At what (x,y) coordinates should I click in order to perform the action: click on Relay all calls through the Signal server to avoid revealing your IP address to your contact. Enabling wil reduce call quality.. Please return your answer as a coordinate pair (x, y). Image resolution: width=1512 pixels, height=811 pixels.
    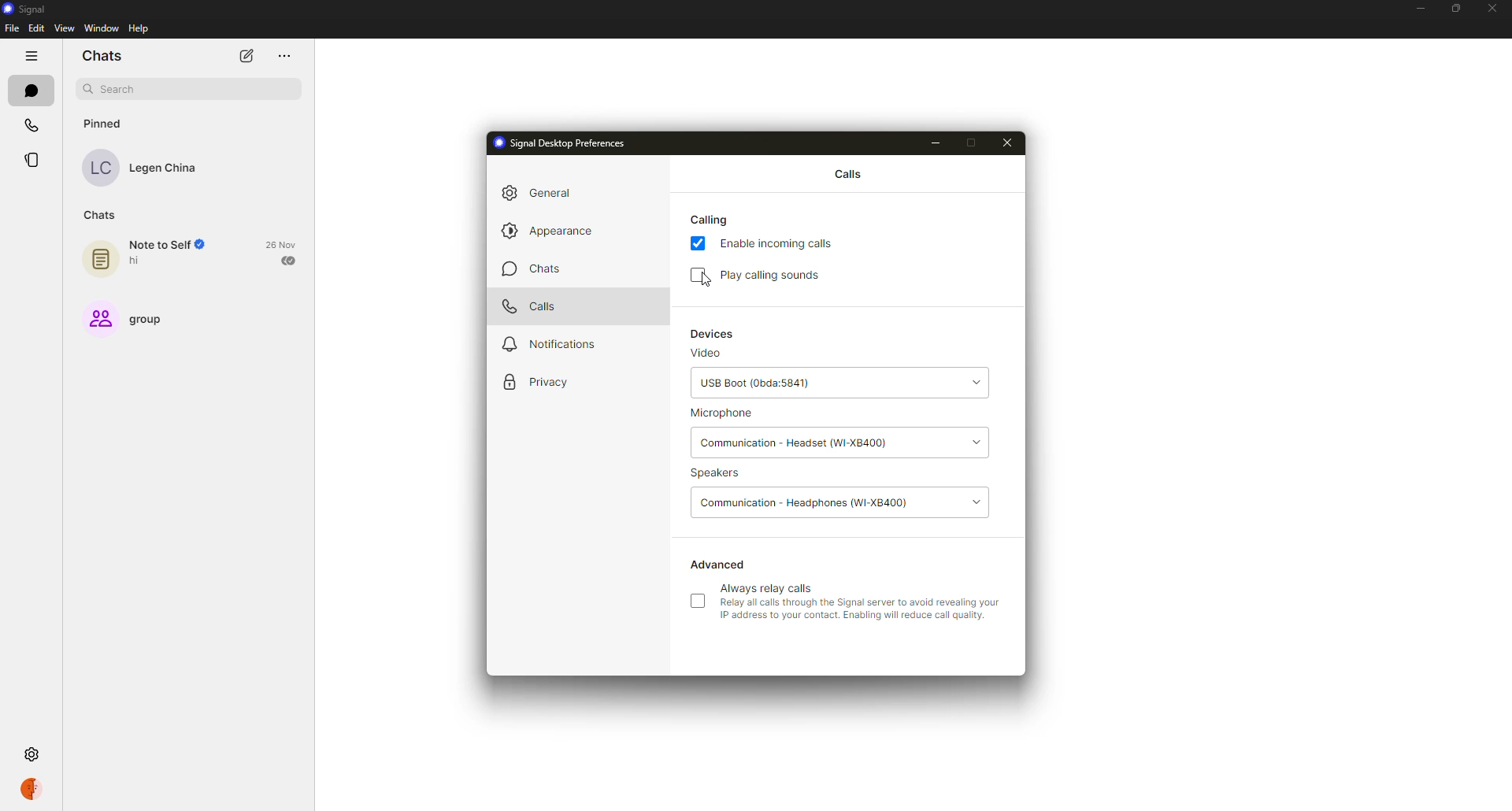
    Looking at the image, I should click on (860, 609).